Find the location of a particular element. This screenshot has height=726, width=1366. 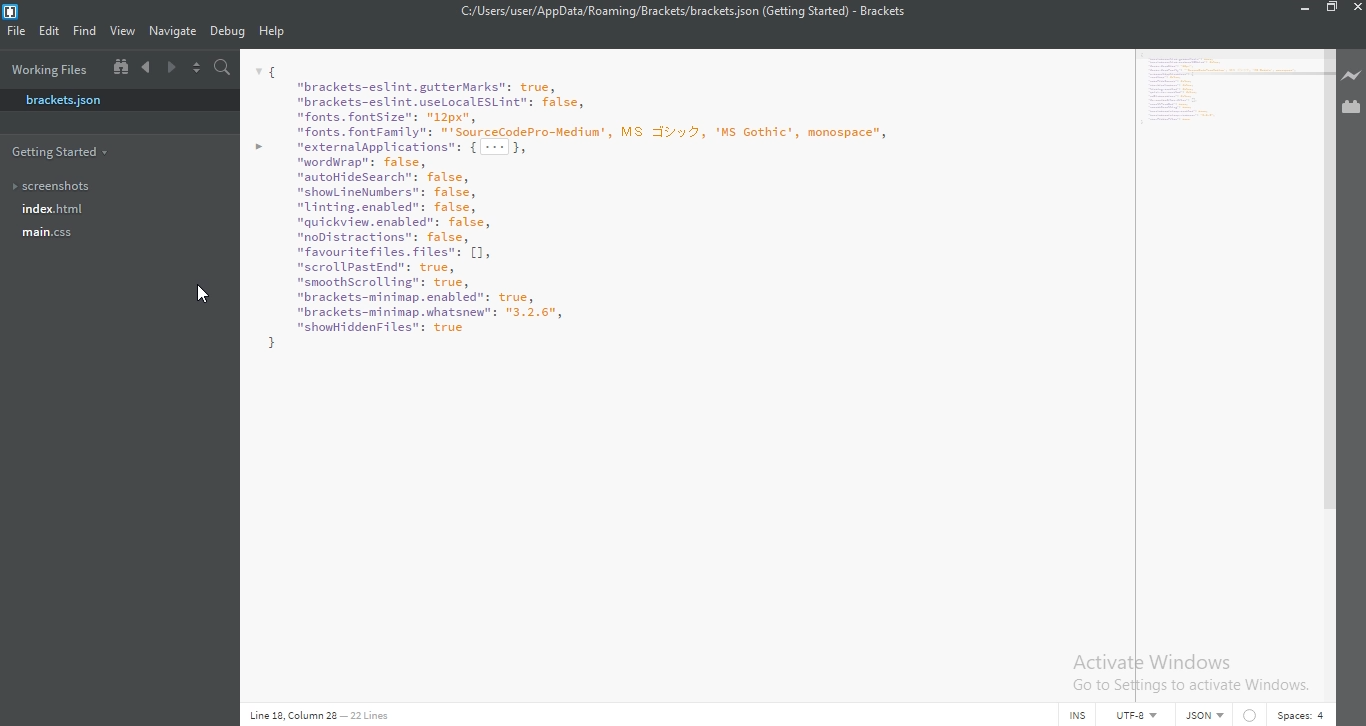

Live preview is located at coordinates (1353, 77).